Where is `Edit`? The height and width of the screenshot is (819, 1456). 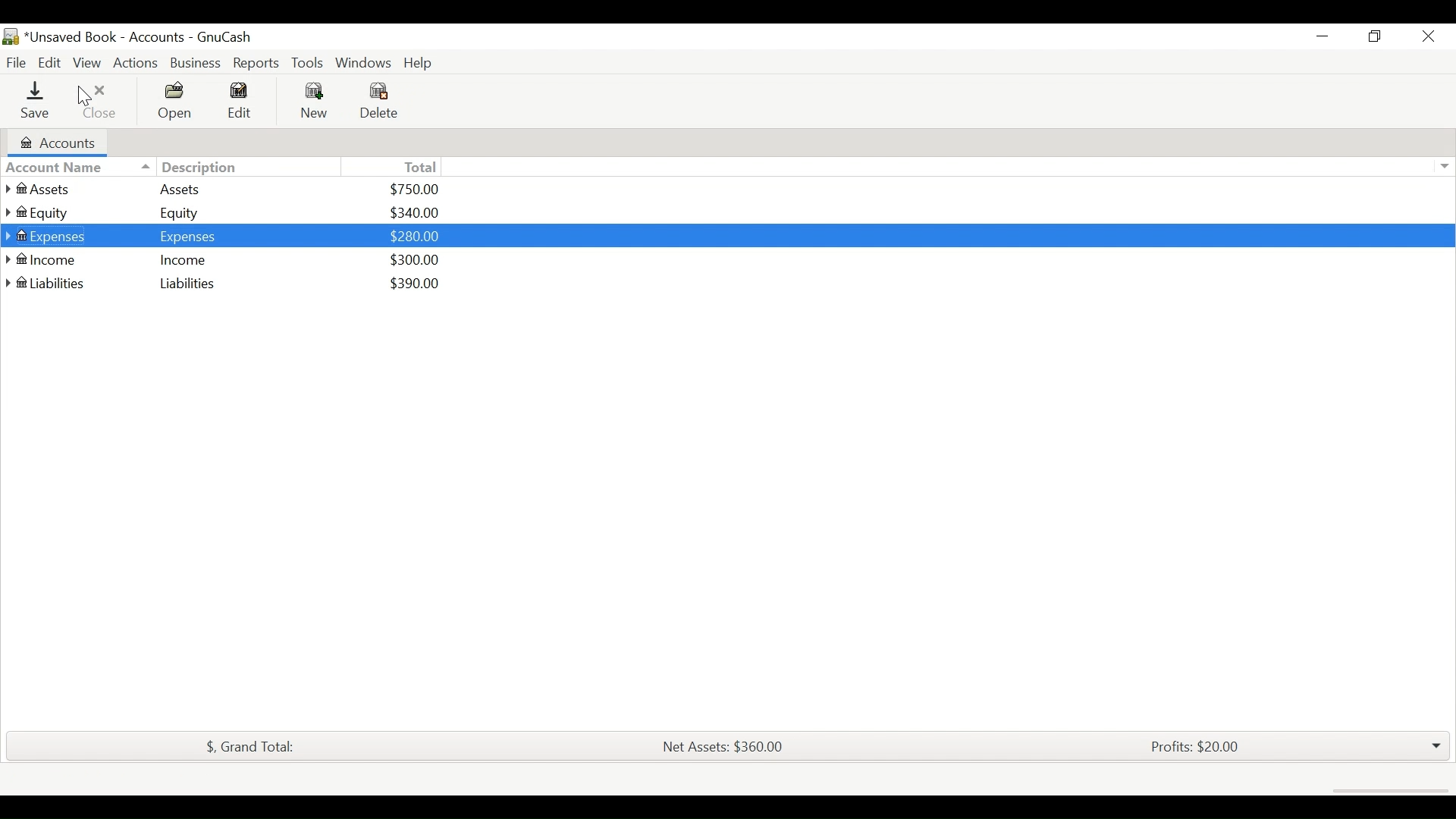
Edit is located at coordinates (243, 101).